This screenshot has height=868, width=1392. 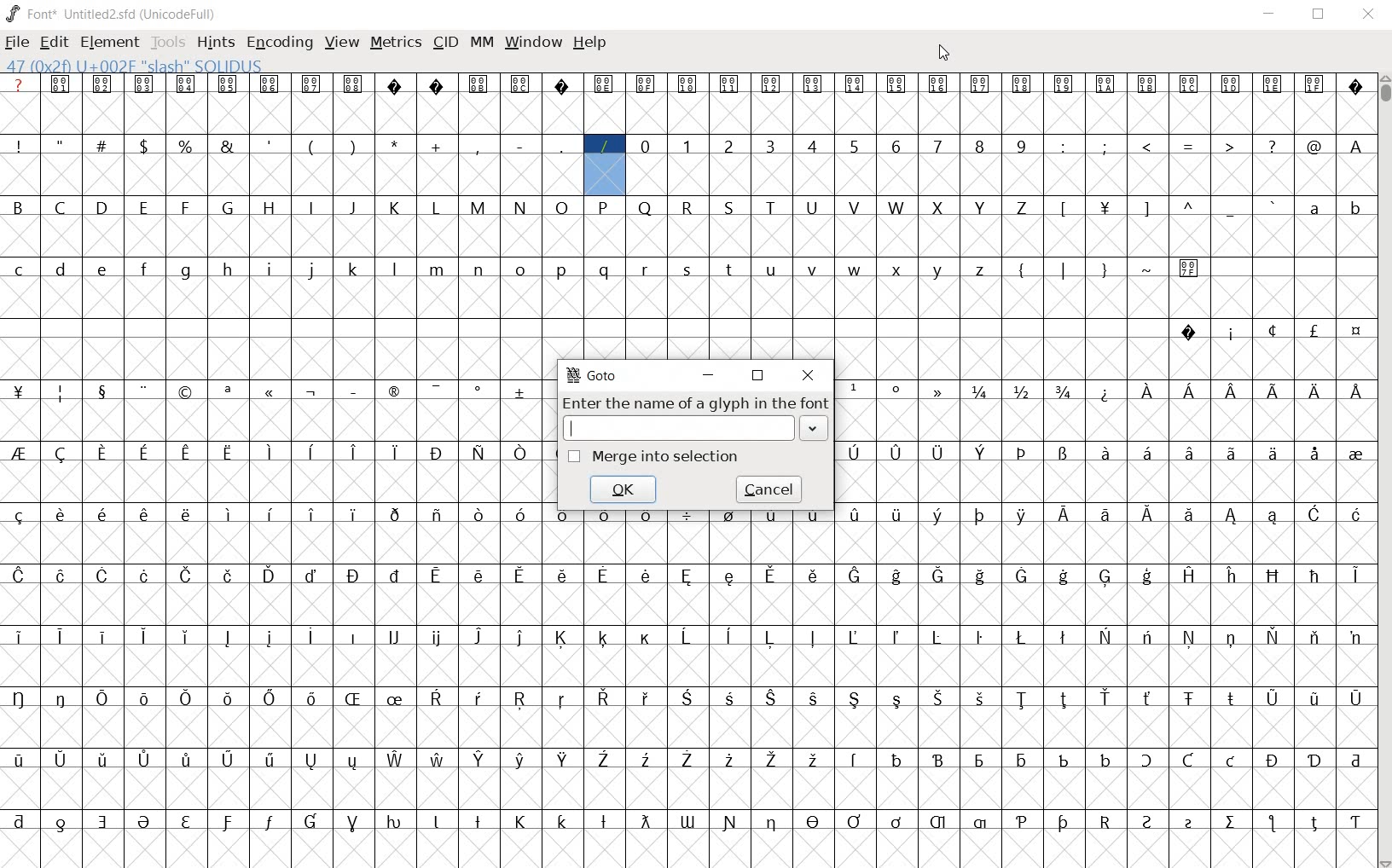 I want to click on glyph, so click(x=1356, y=514).